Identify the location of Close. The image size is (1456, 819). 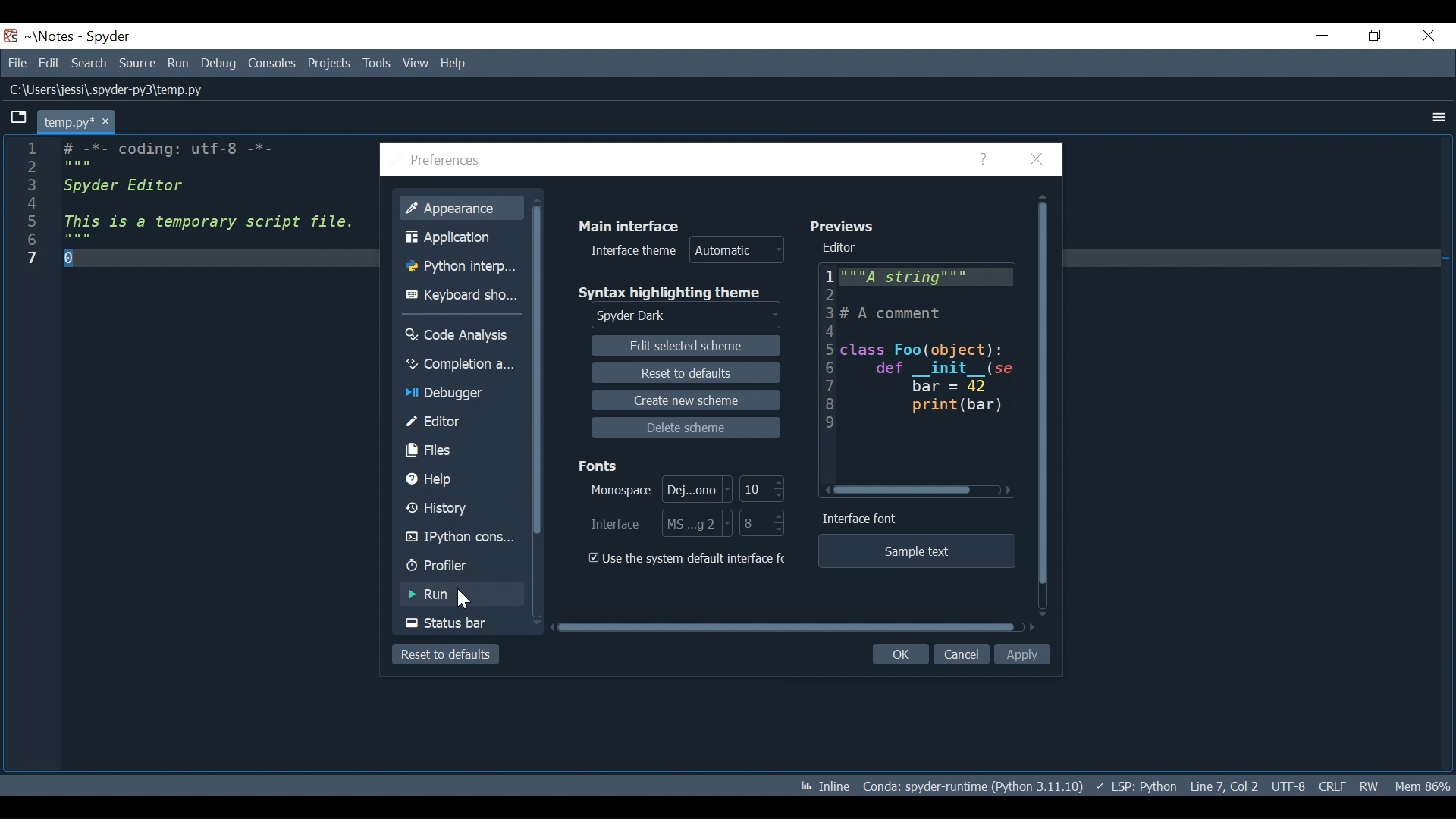
(1427, 33).